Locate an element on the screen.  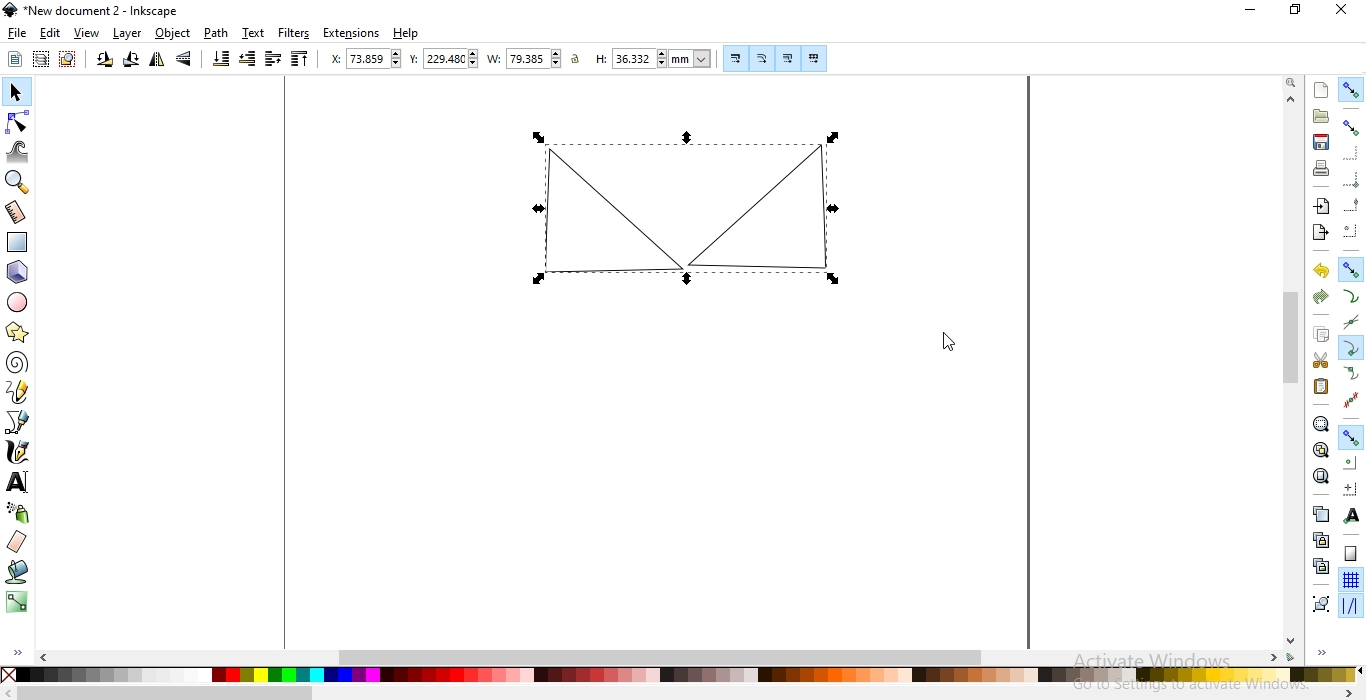
edit is located at coordinates (48, 33).